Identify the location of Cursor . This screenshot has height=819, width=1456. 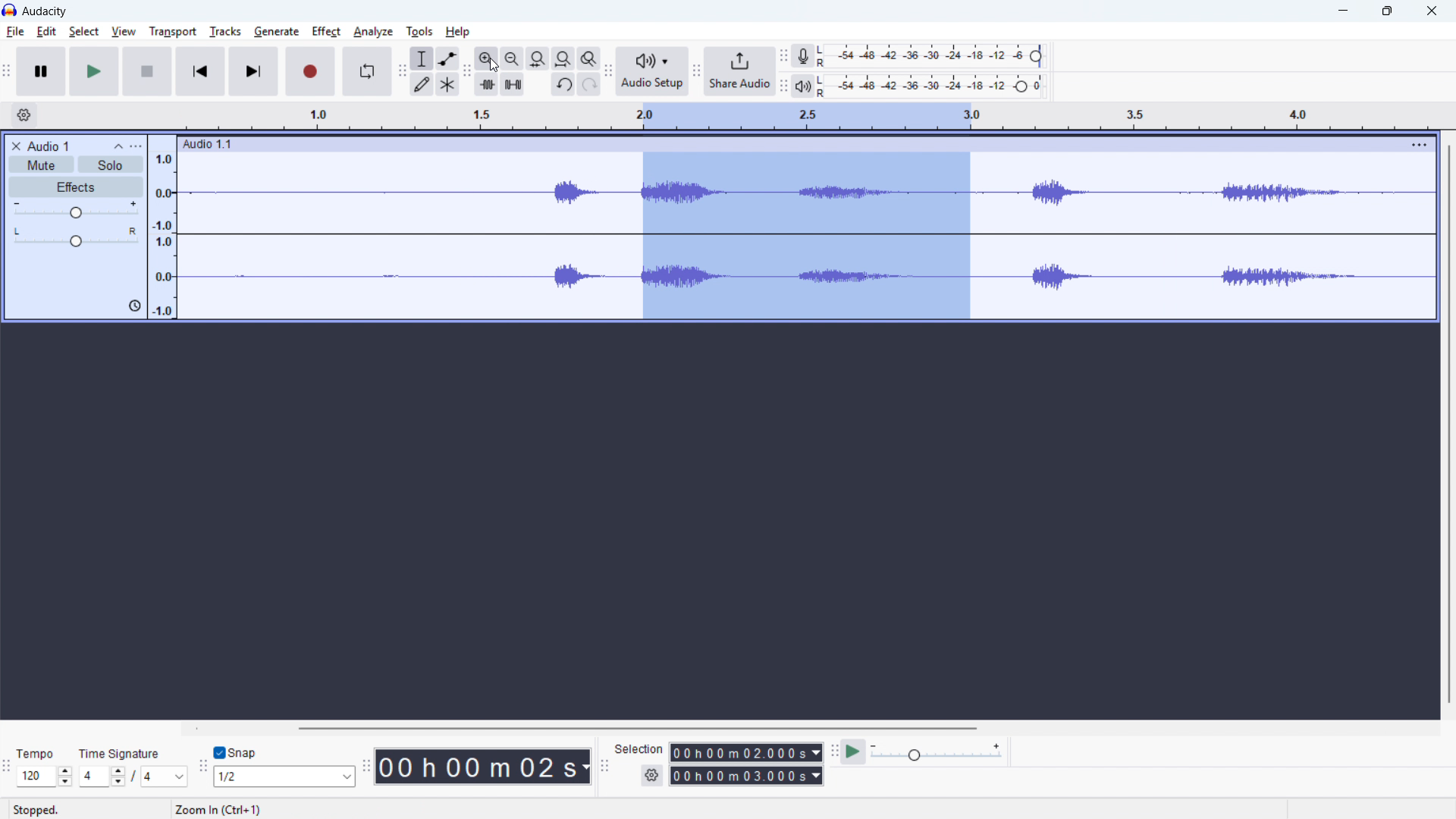
(494, 65).